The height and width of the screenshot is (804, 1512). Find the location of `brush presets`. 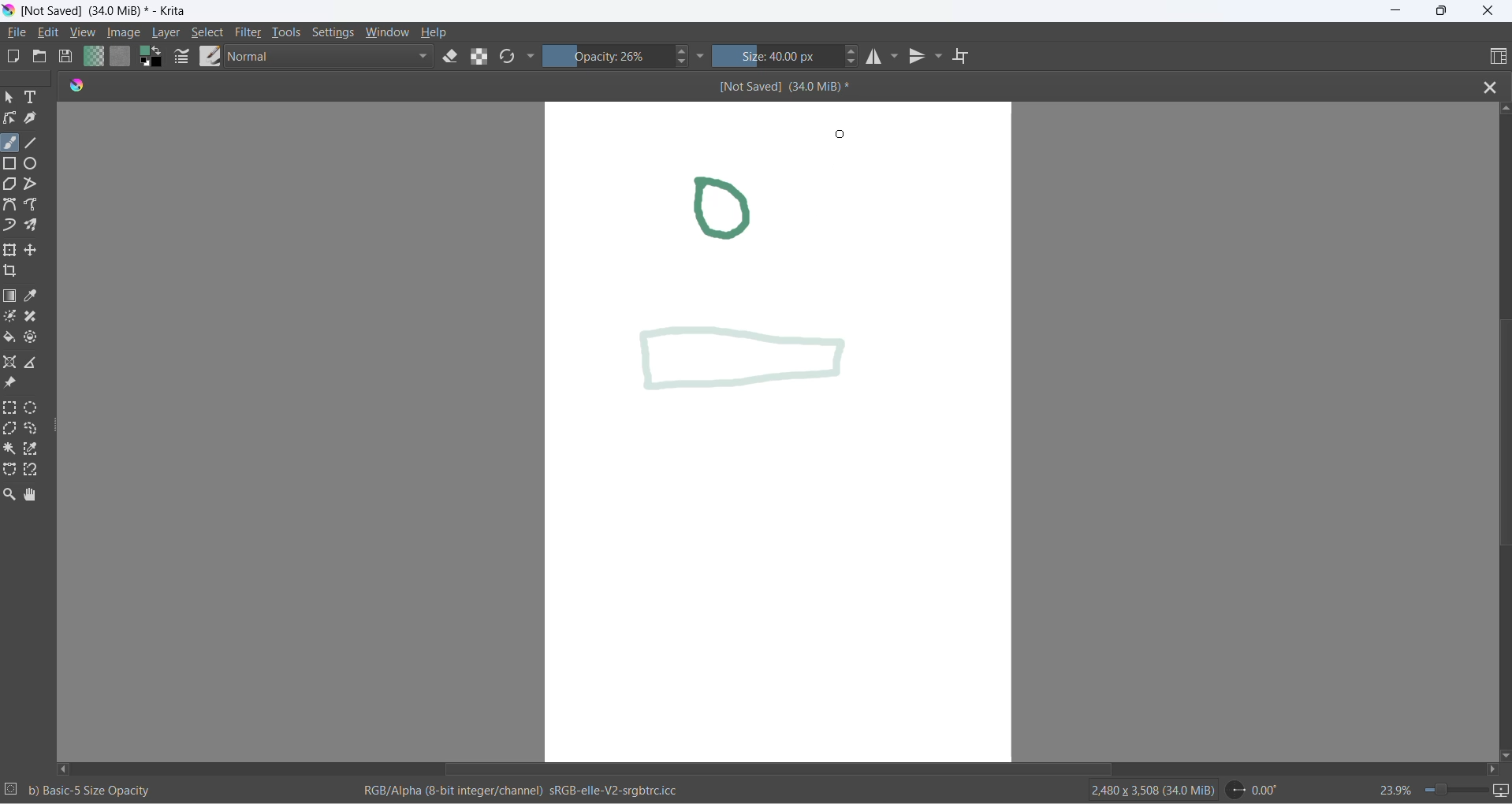

brush presets is located at coordinates (207, 58).